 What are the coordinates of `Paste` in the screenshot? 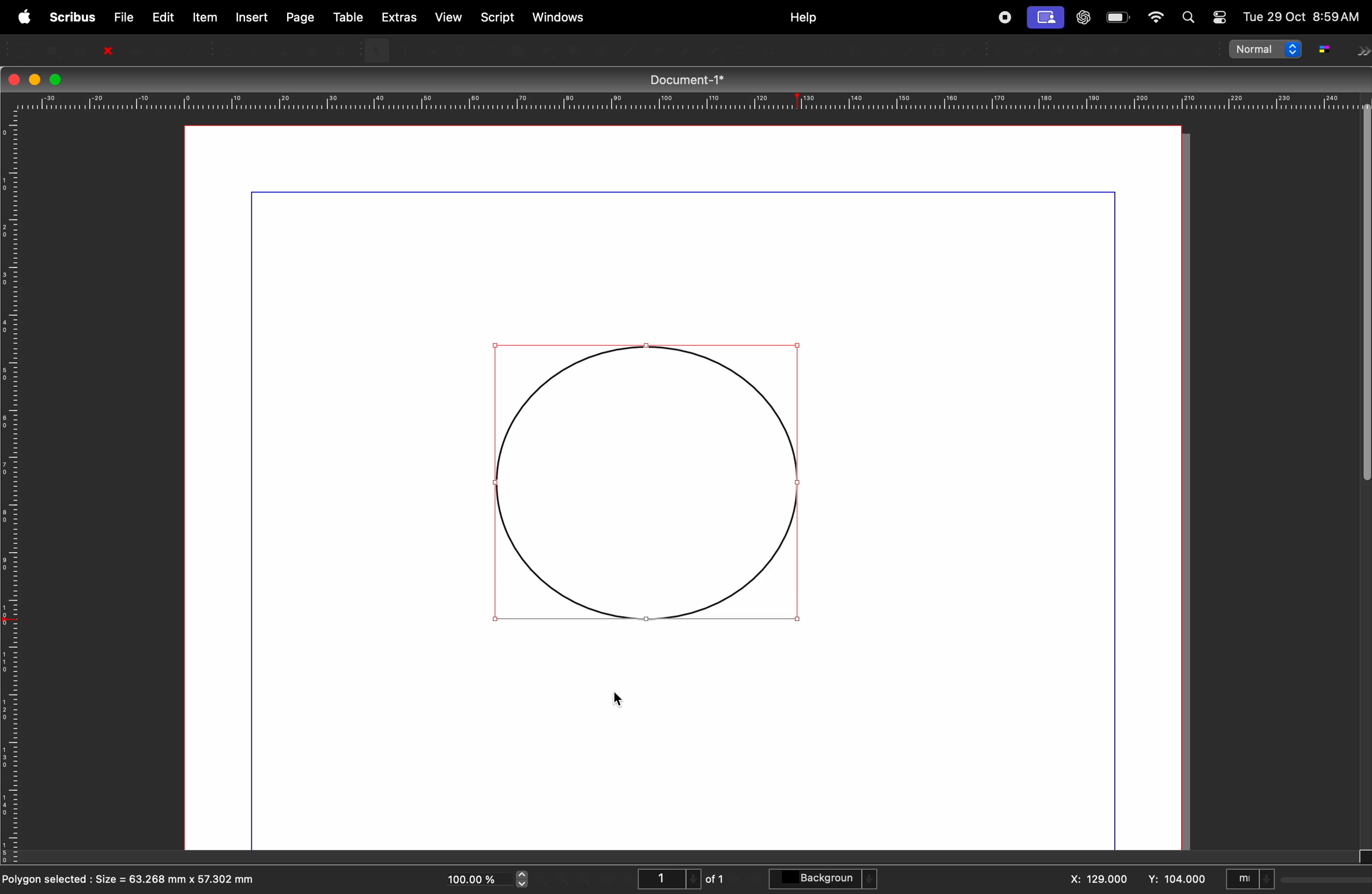 It's located at (344, 48).